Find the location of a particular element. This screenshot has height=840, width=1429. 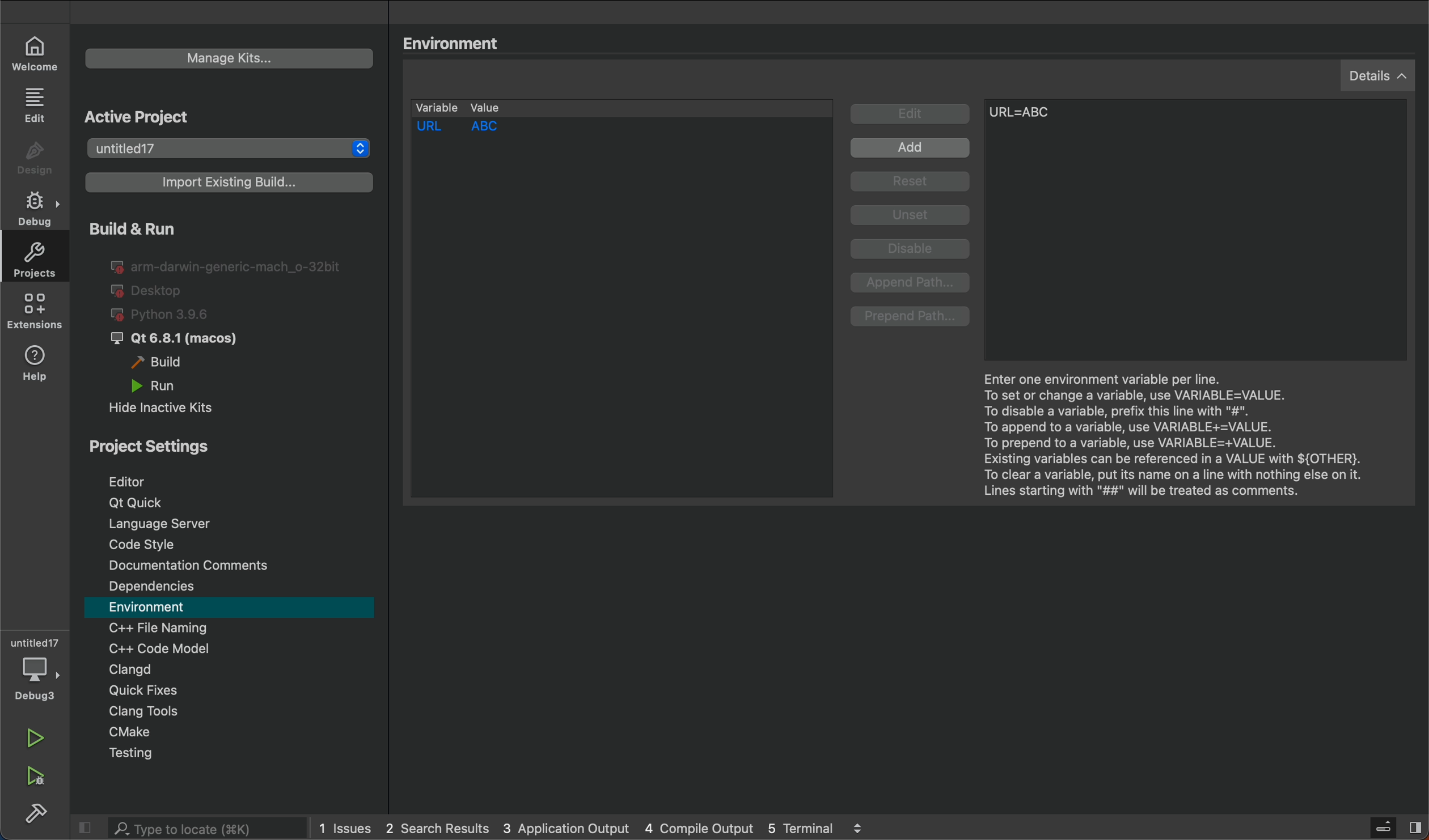

run is located at coordinates (43, 741).